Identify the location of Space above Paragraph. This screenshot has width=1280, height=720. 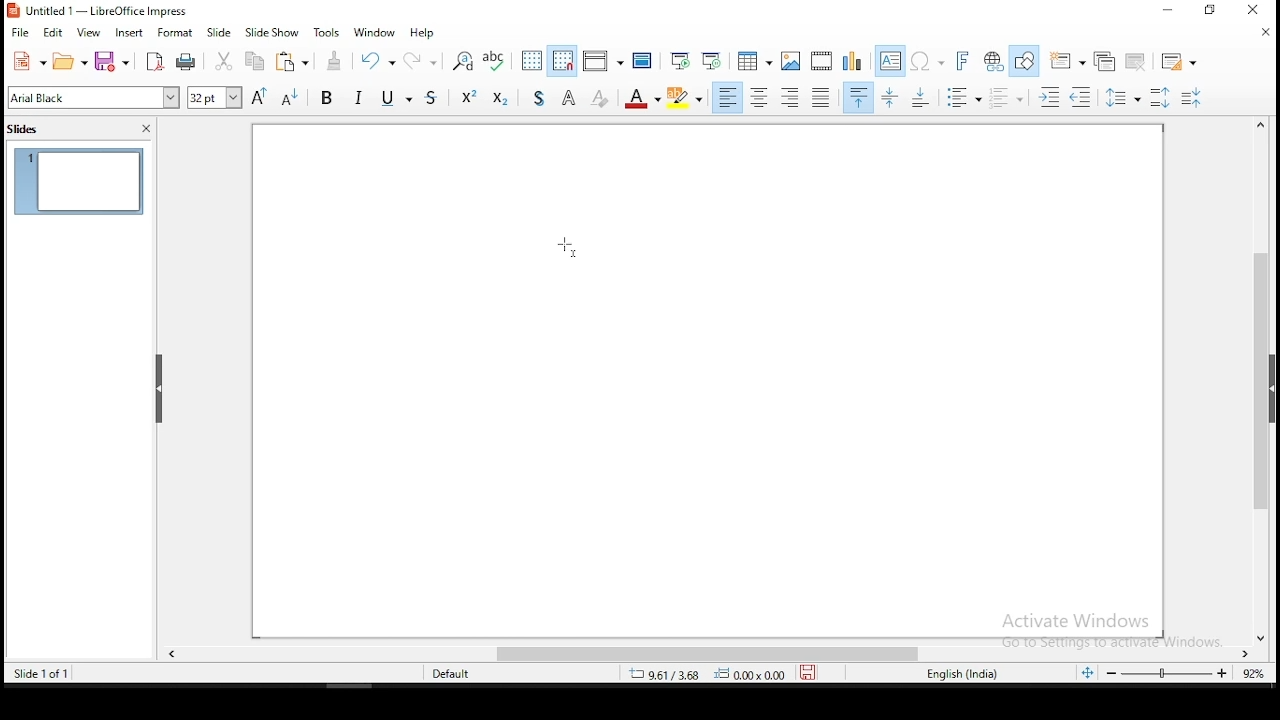
(923, 97).